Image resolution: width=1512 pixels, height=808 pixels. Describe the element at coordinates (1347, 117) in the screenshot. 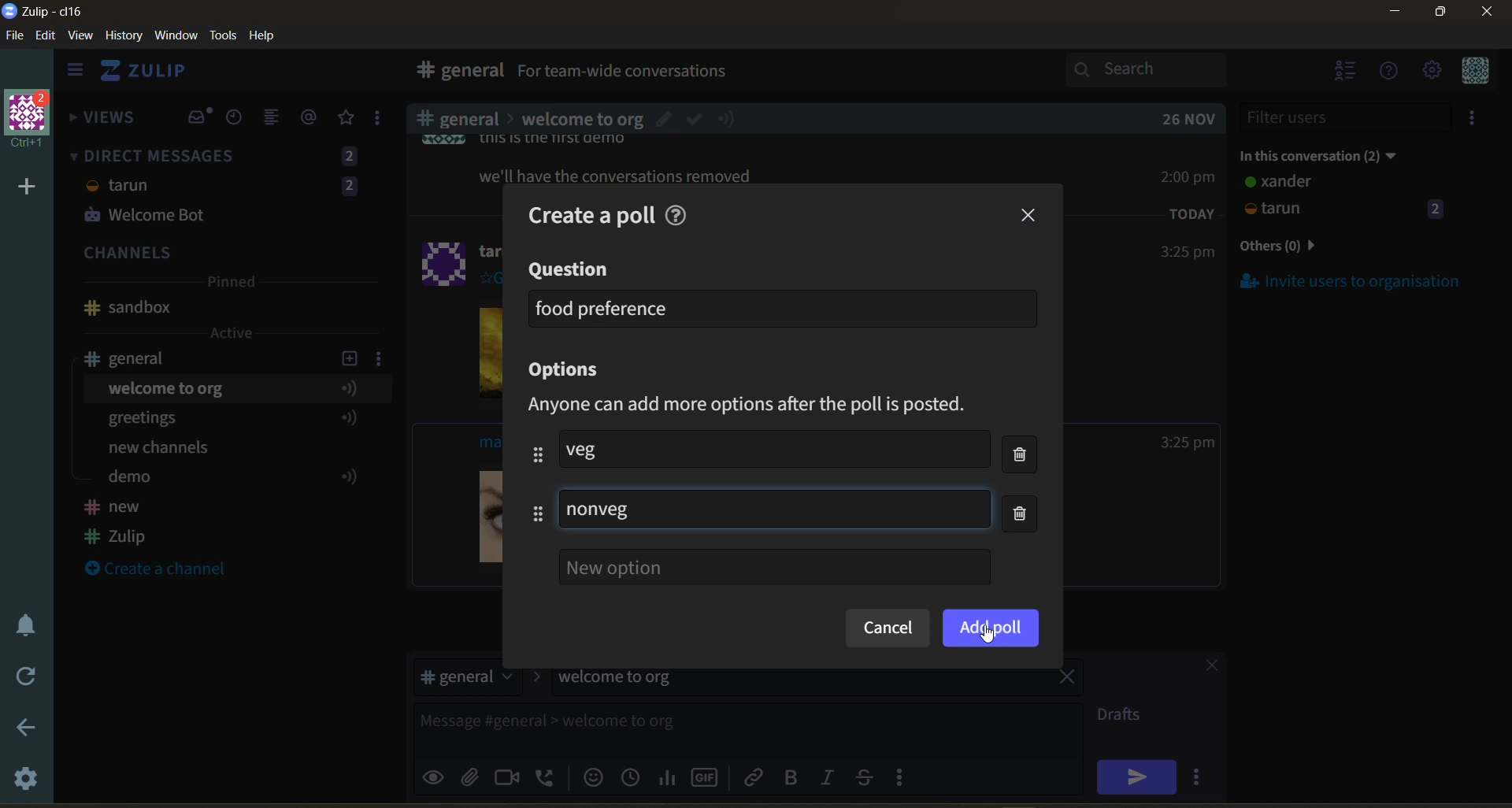

I see `filter users` at that location.